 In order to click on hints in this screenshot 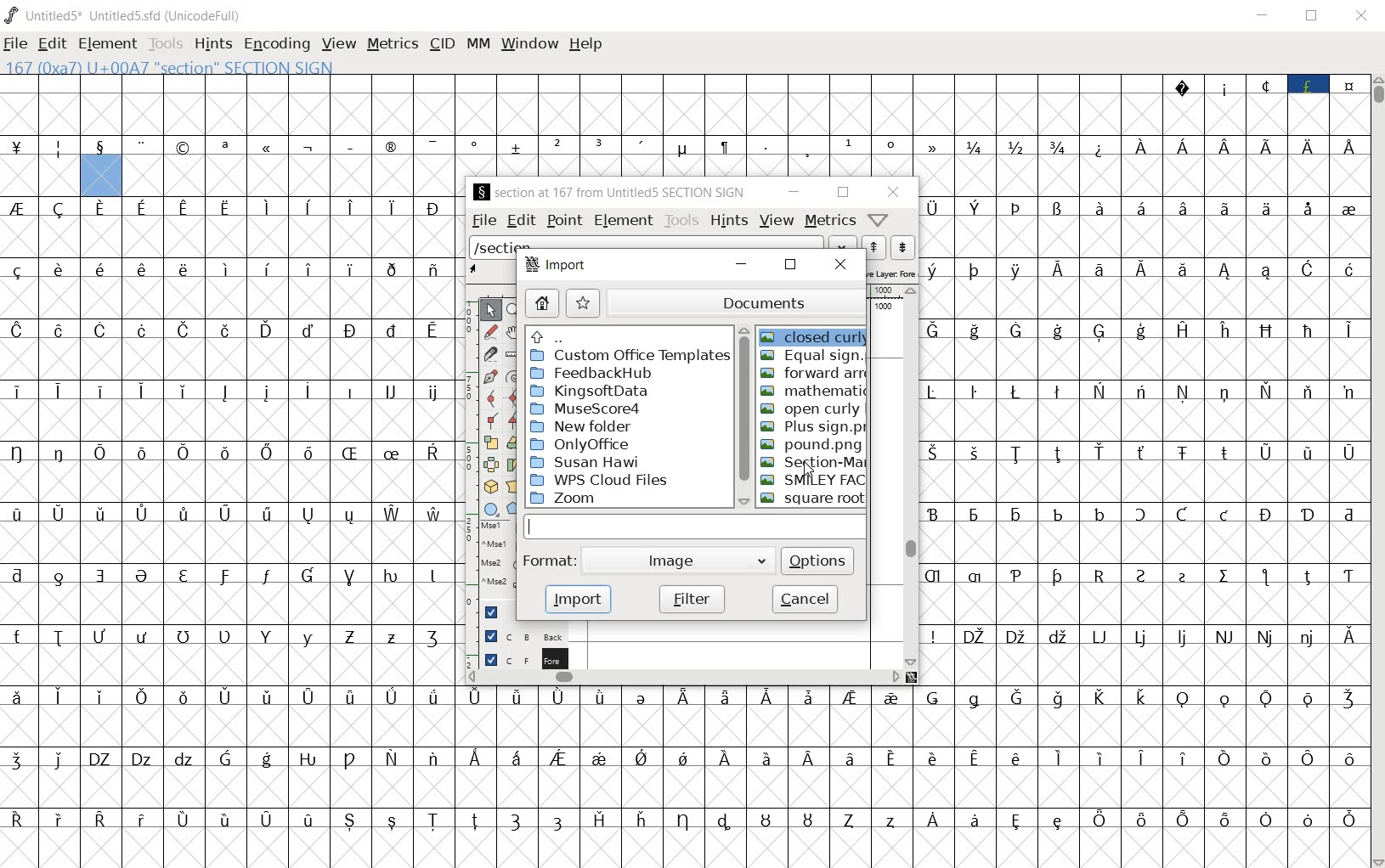, I will do `click(731, 222)`.